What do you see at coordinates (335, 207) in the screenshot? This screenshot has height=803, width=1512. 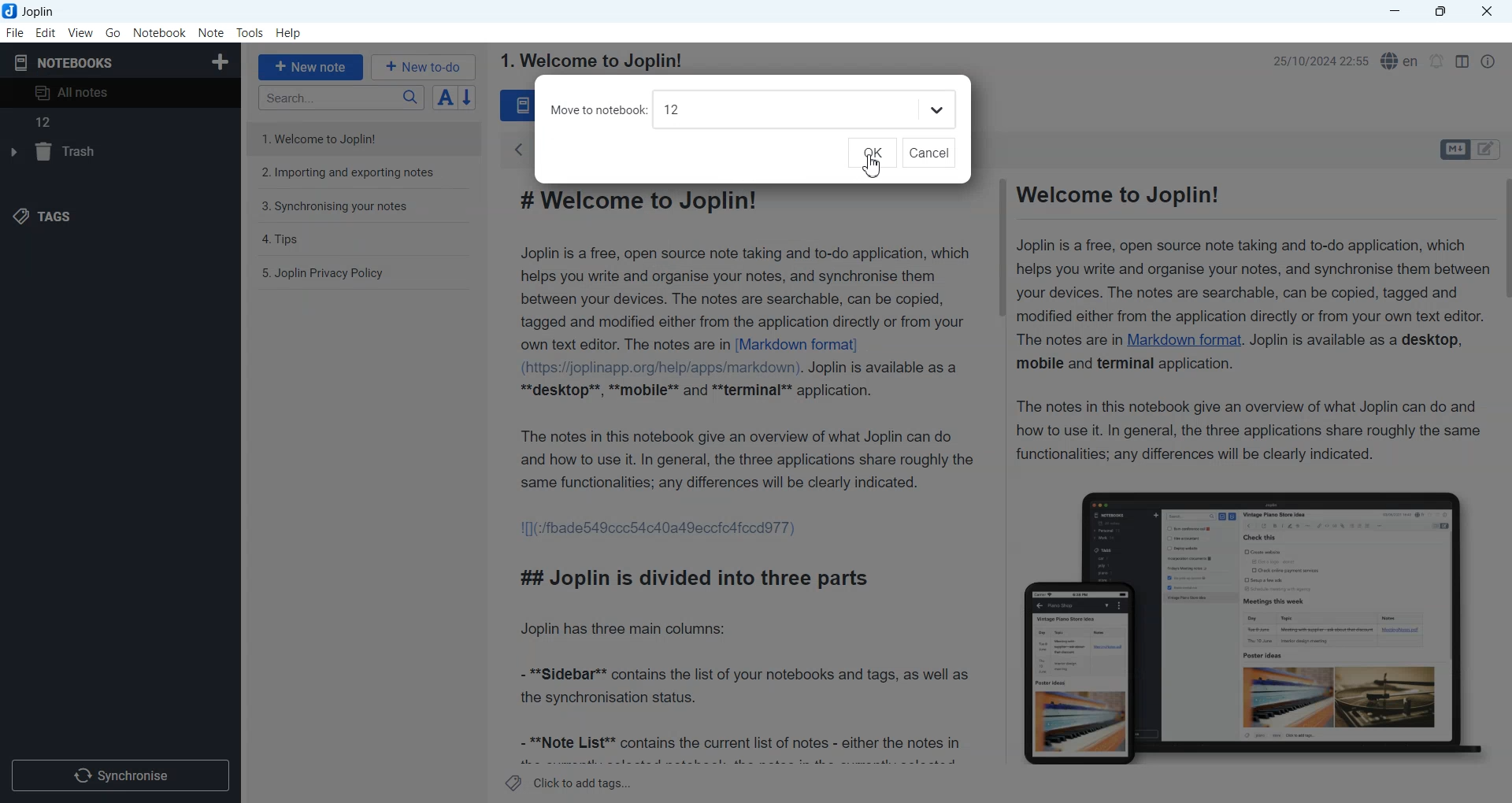 I see `3. Synchronising your notes` at bounding box center [335, 207].